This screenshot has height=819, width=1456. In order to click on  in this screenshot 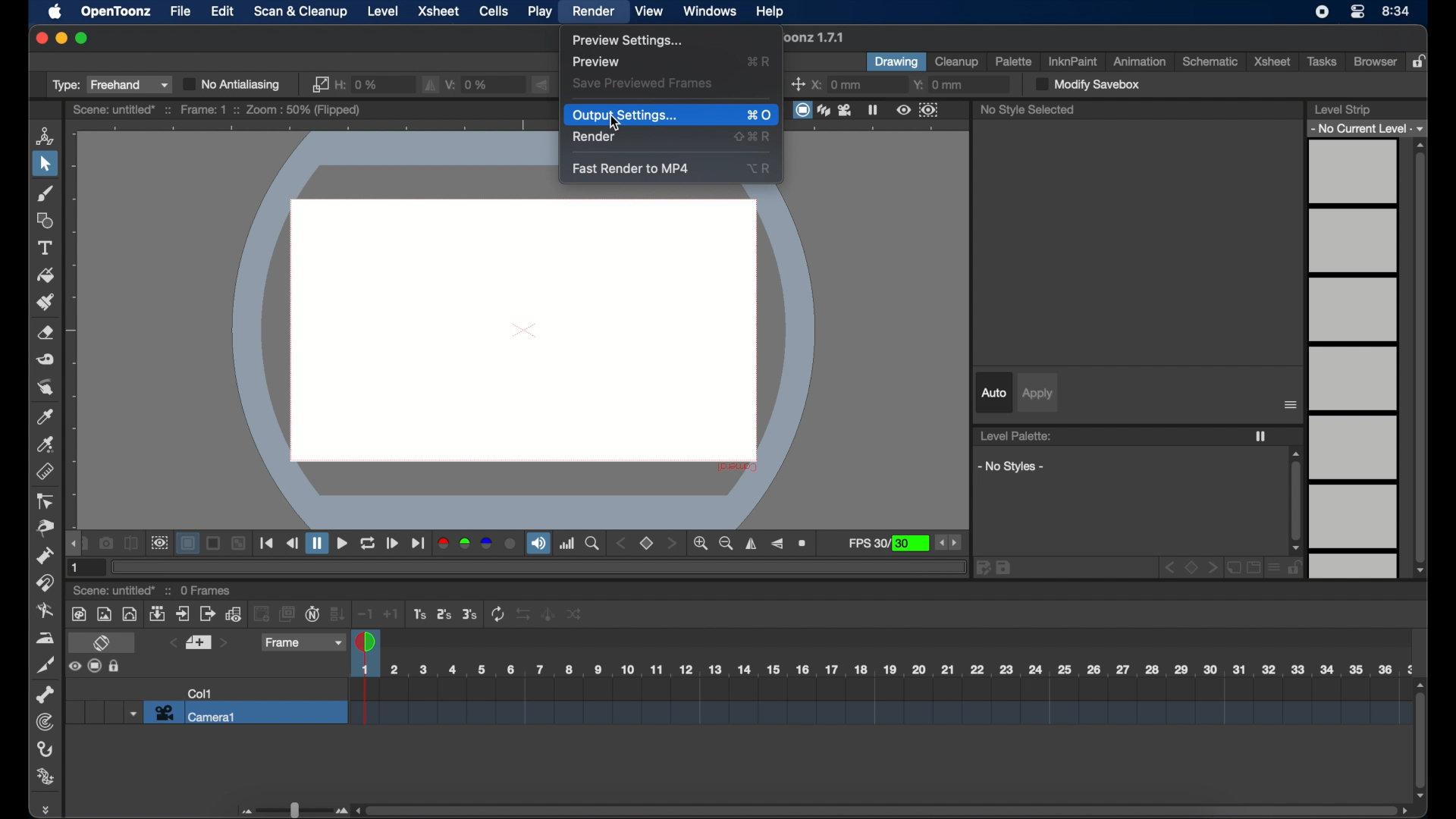, I will do `click(207, 613)`.